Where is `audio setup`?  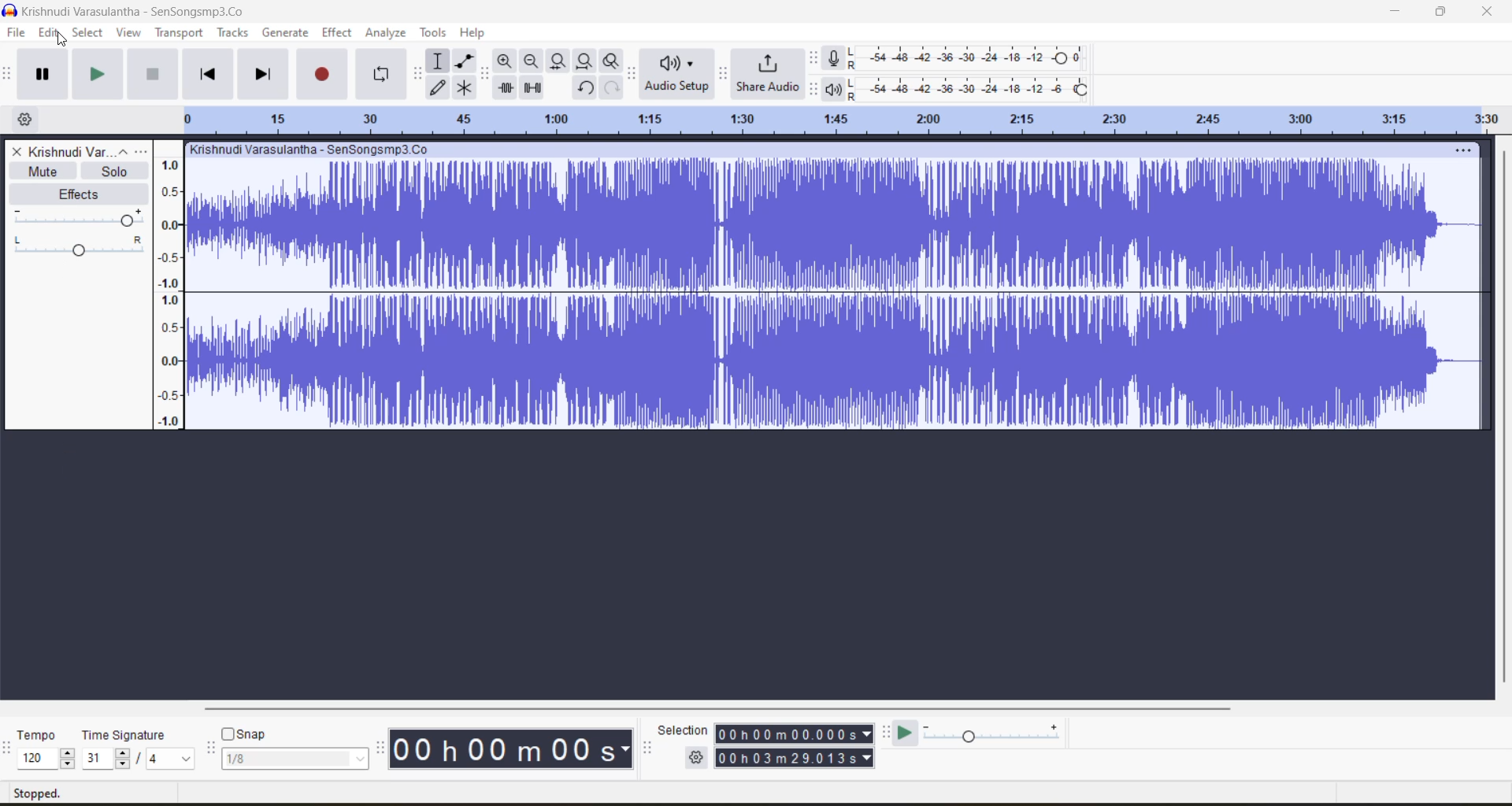
audio setup is located at coordinates (678, 76).